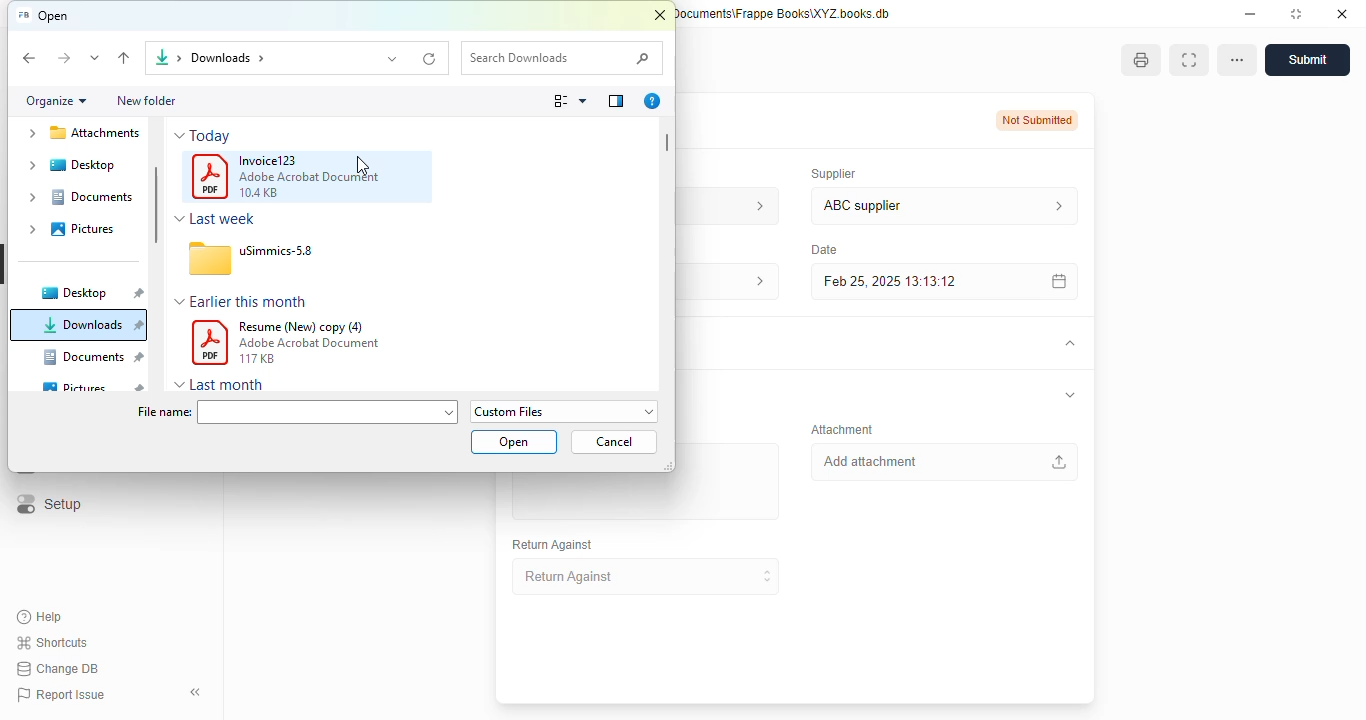 This screenshot has height=720, width=1366. What do you see at coordinates (82, 165) in the screenshot?
I see `desktop` at bounding box center [82, 165].